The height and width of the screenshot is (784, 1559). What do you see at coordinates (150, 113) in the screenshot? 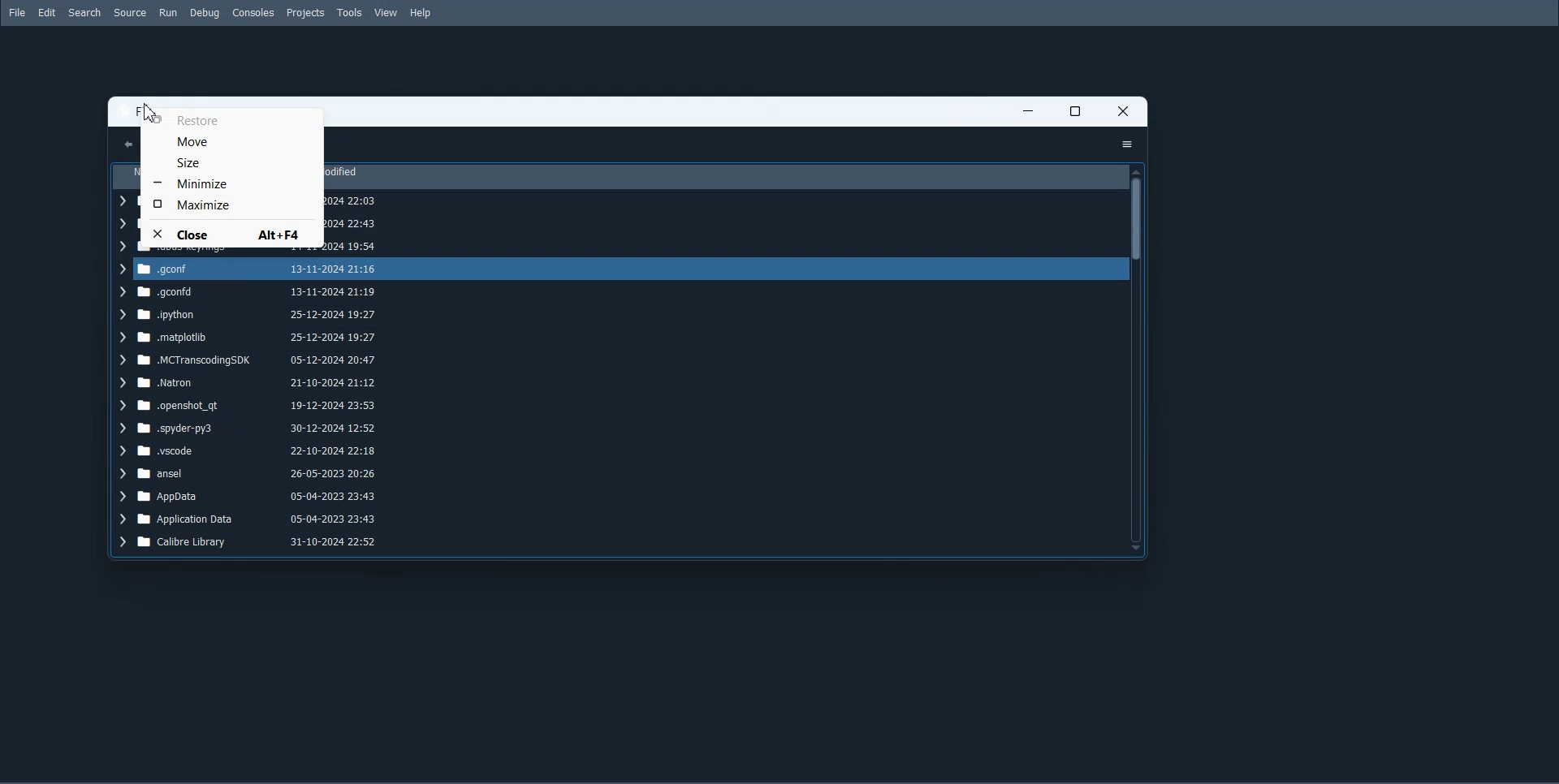
I see `Cursor` at bounding box center [150, 113].